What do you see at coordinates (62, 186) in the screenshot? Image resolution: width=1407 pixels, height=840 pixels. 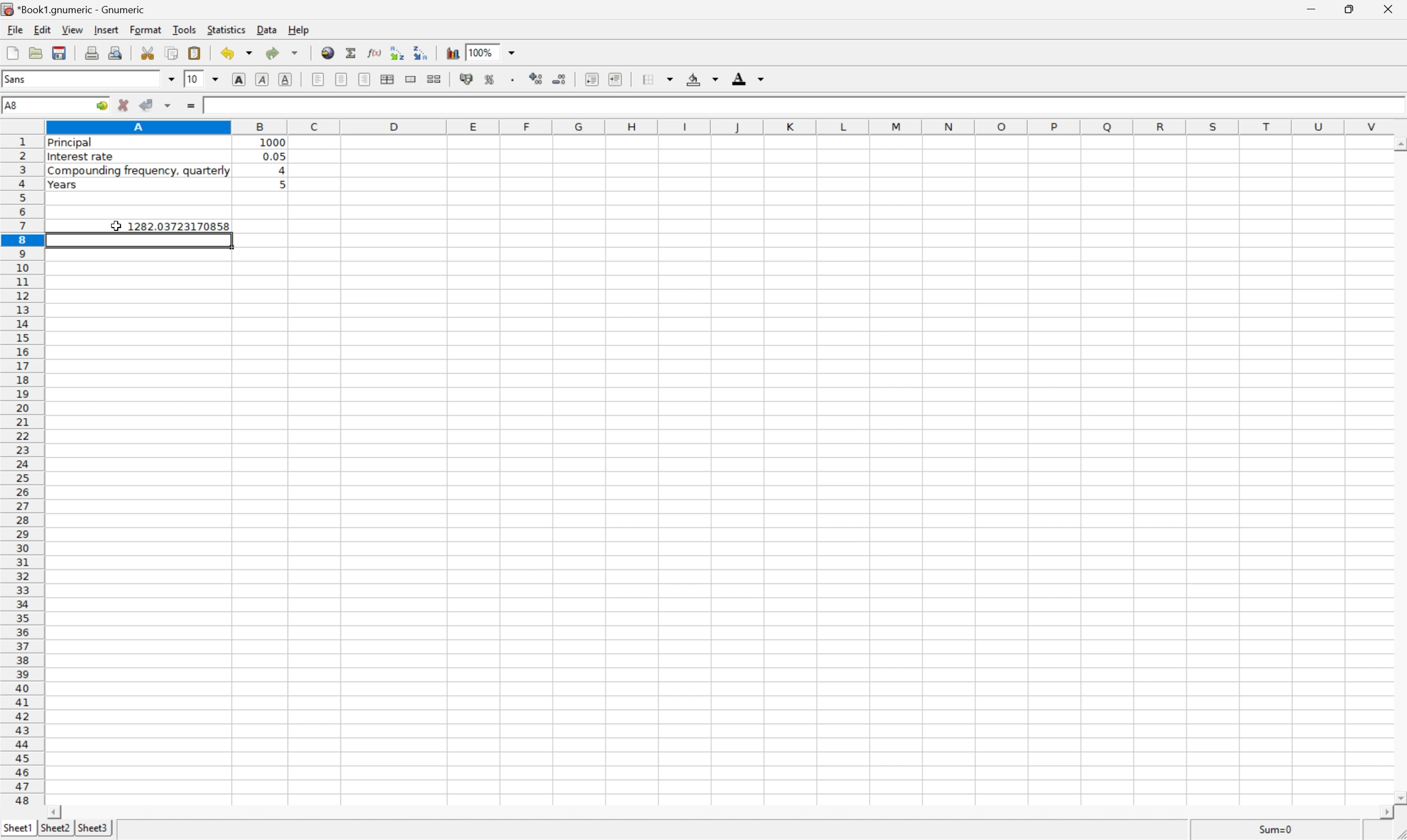 I see `years` at bounding box center [62, 186].